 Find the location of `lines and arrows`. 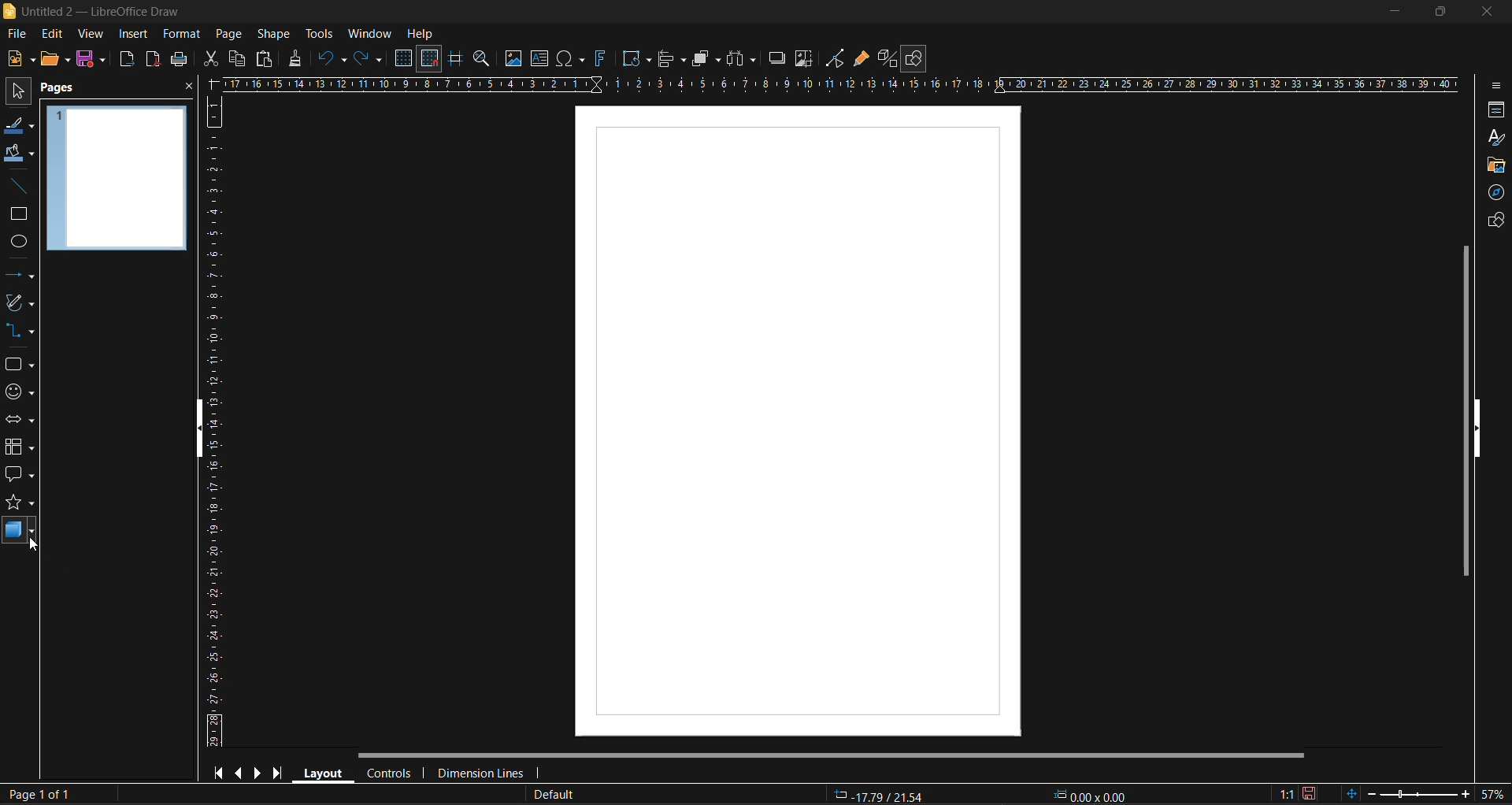

lines and arrows is located at coordinates (20, 275).